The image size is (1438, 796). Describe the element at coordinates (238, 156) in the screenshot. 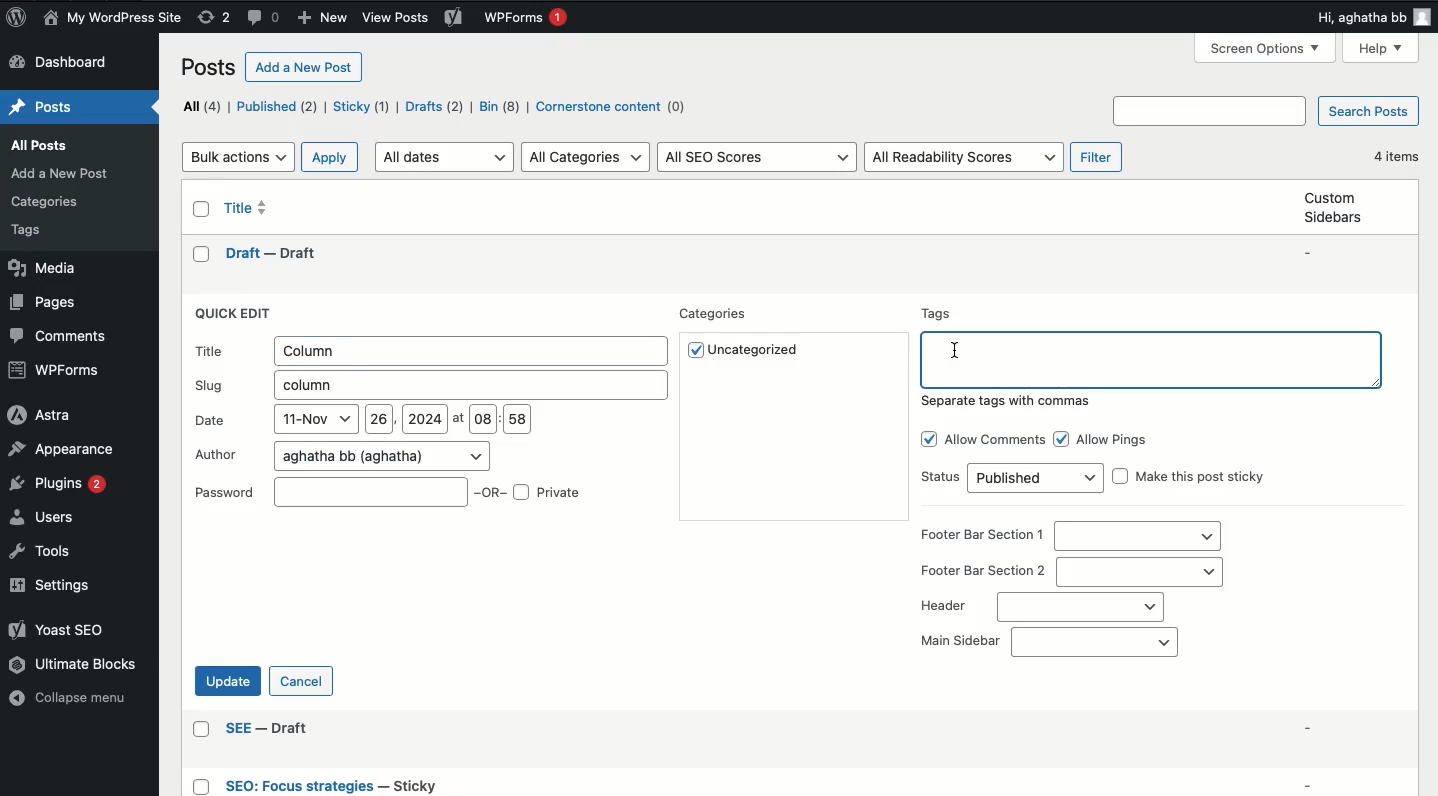

I see `Bulk actions` at that location.